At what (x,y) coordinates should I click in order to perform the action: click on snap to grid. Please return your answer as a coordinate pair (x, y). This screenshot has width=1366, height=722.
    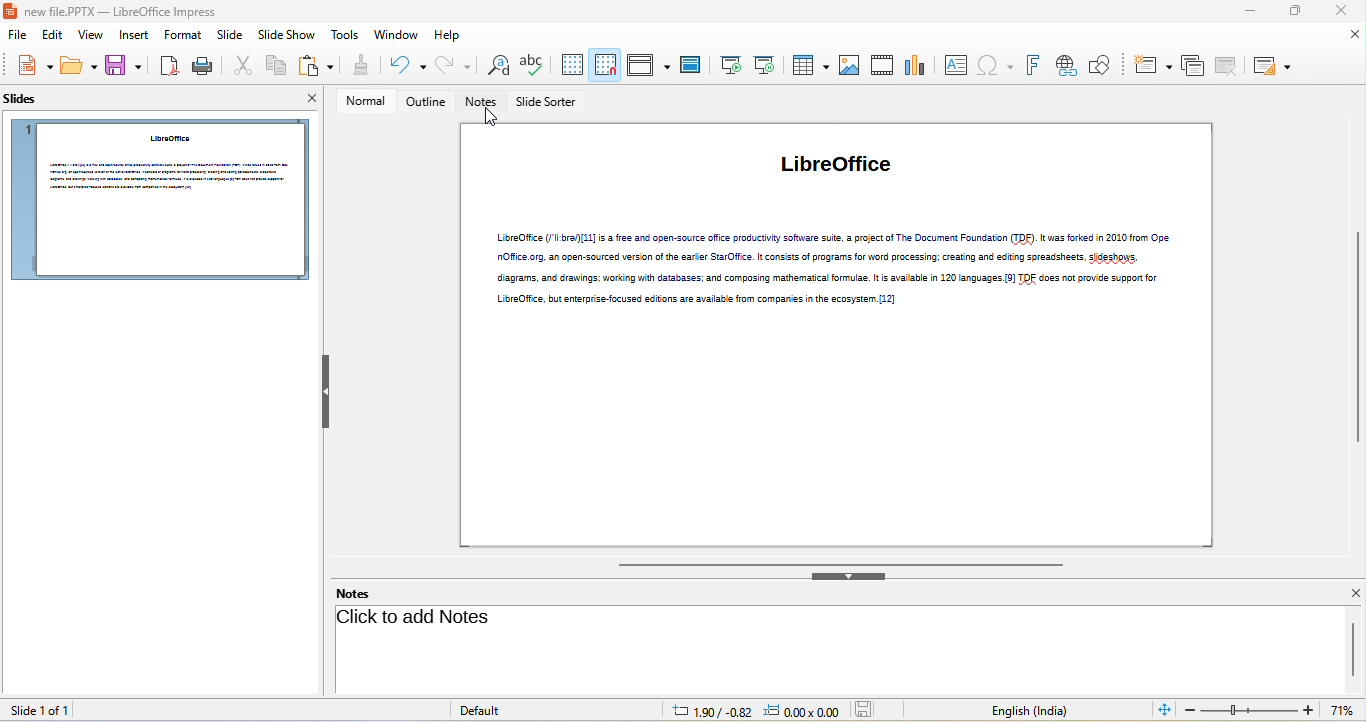
    Looking at the image, I should click on (606, 64).